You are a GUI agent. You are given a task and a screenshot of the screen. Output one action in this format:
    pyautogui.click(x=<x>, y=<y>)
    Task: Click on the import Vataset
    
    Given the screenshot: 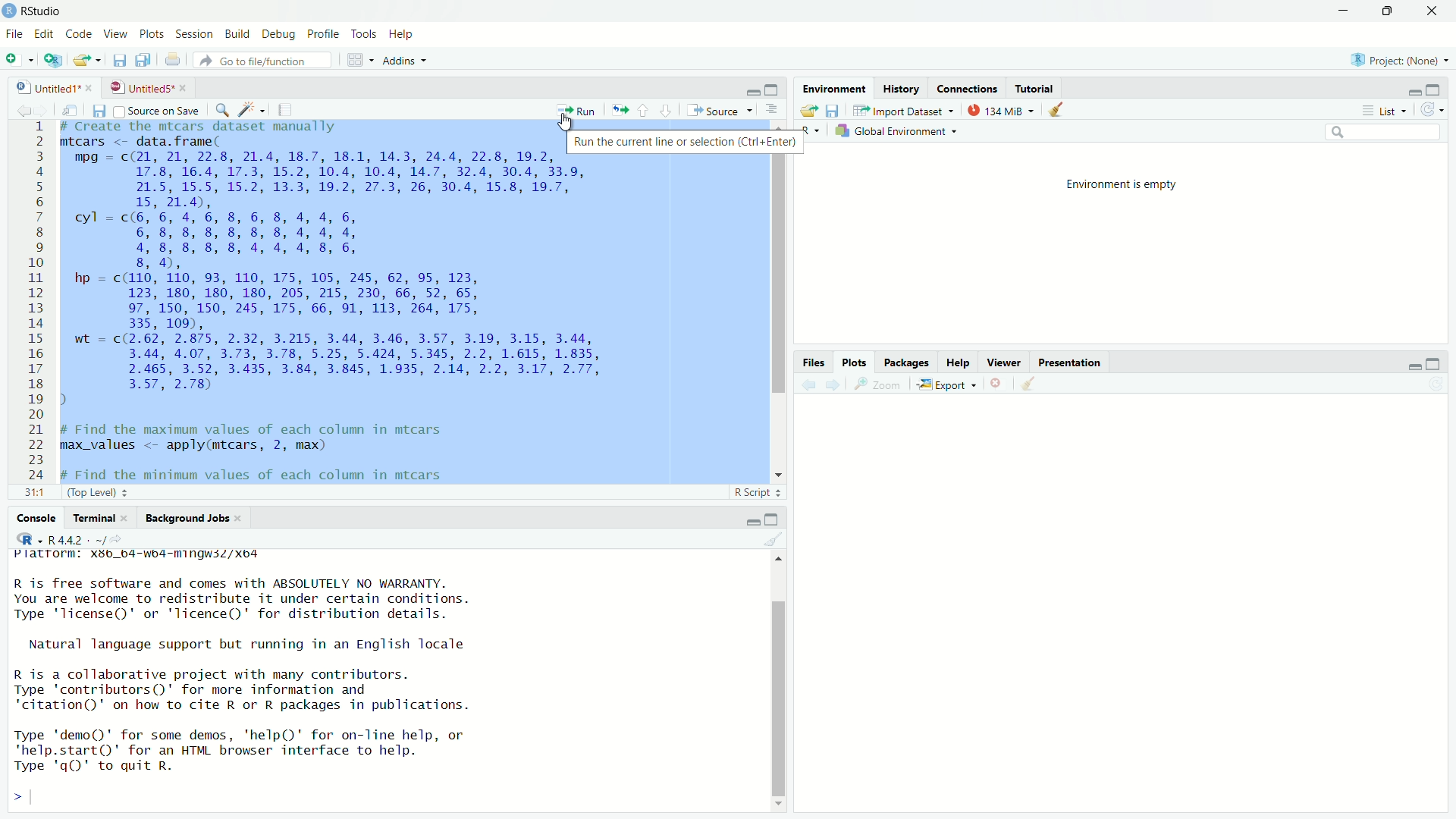 What is the action you would take?
    pyautogui.click(x=904, y=110)
    